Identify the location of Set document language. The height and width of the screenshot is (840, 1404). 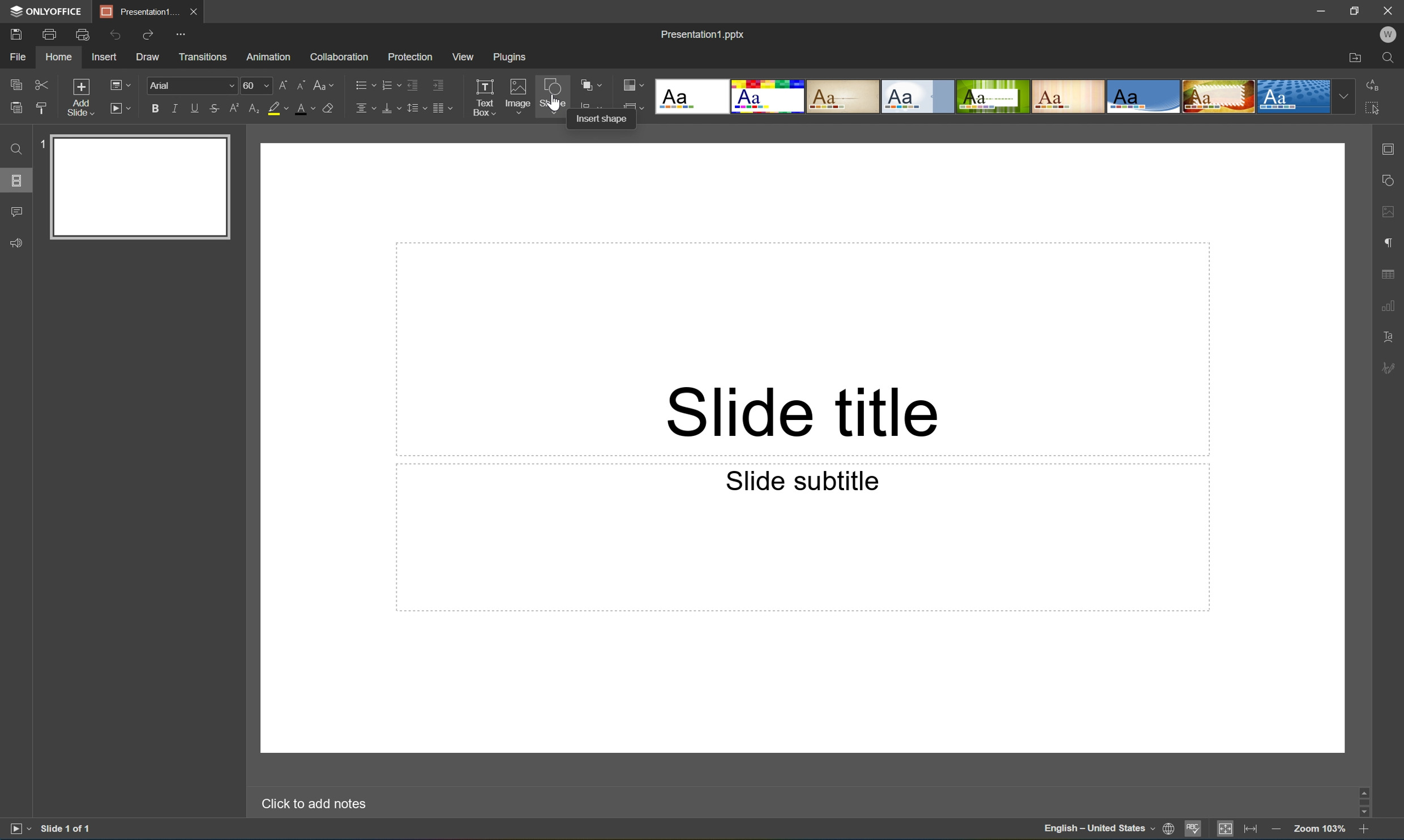
(1168, 830).